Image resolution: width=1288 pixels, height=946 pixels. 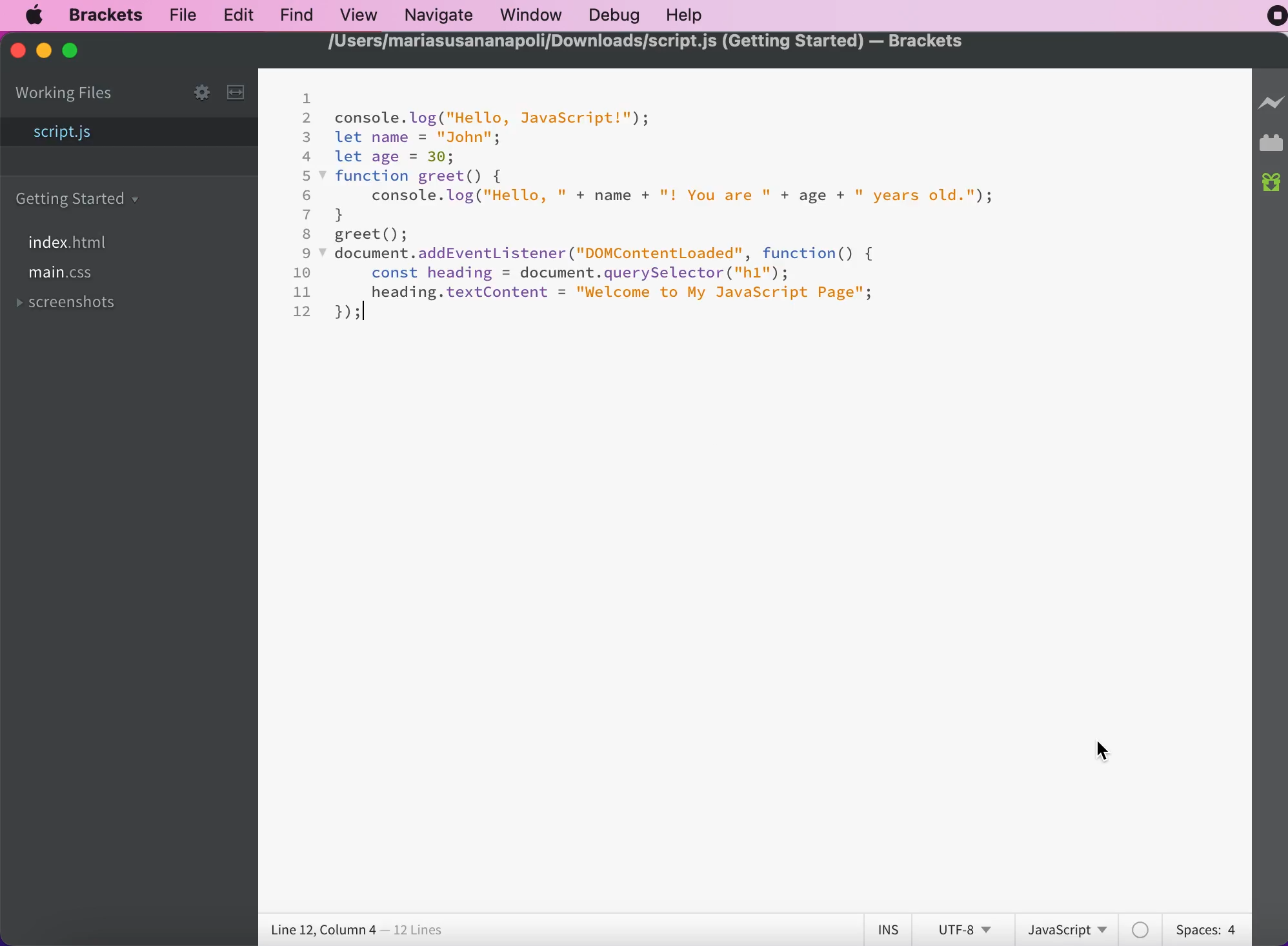 What do you see at coordinates (1102, 750) in the screenshot?
I see `cursor` at bounding box center [1102, 750].